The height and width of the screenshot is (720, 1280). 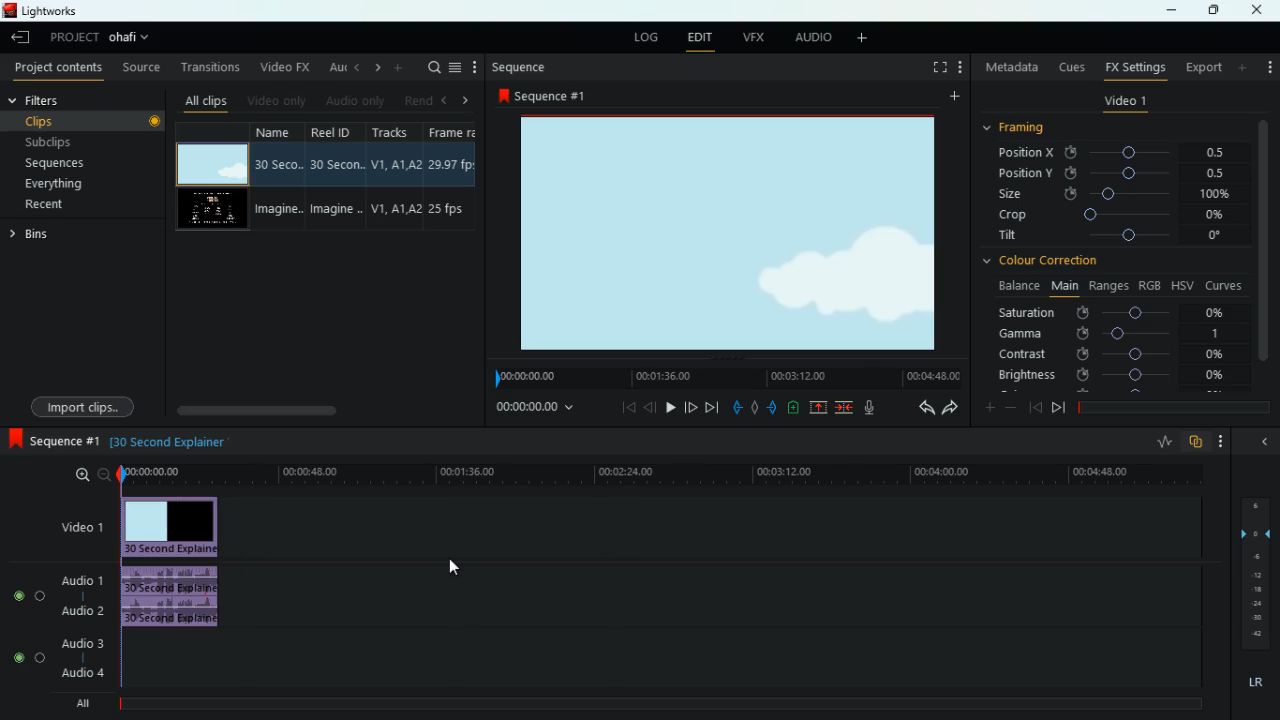 I want to click on screen, so click(x=730, y=235).